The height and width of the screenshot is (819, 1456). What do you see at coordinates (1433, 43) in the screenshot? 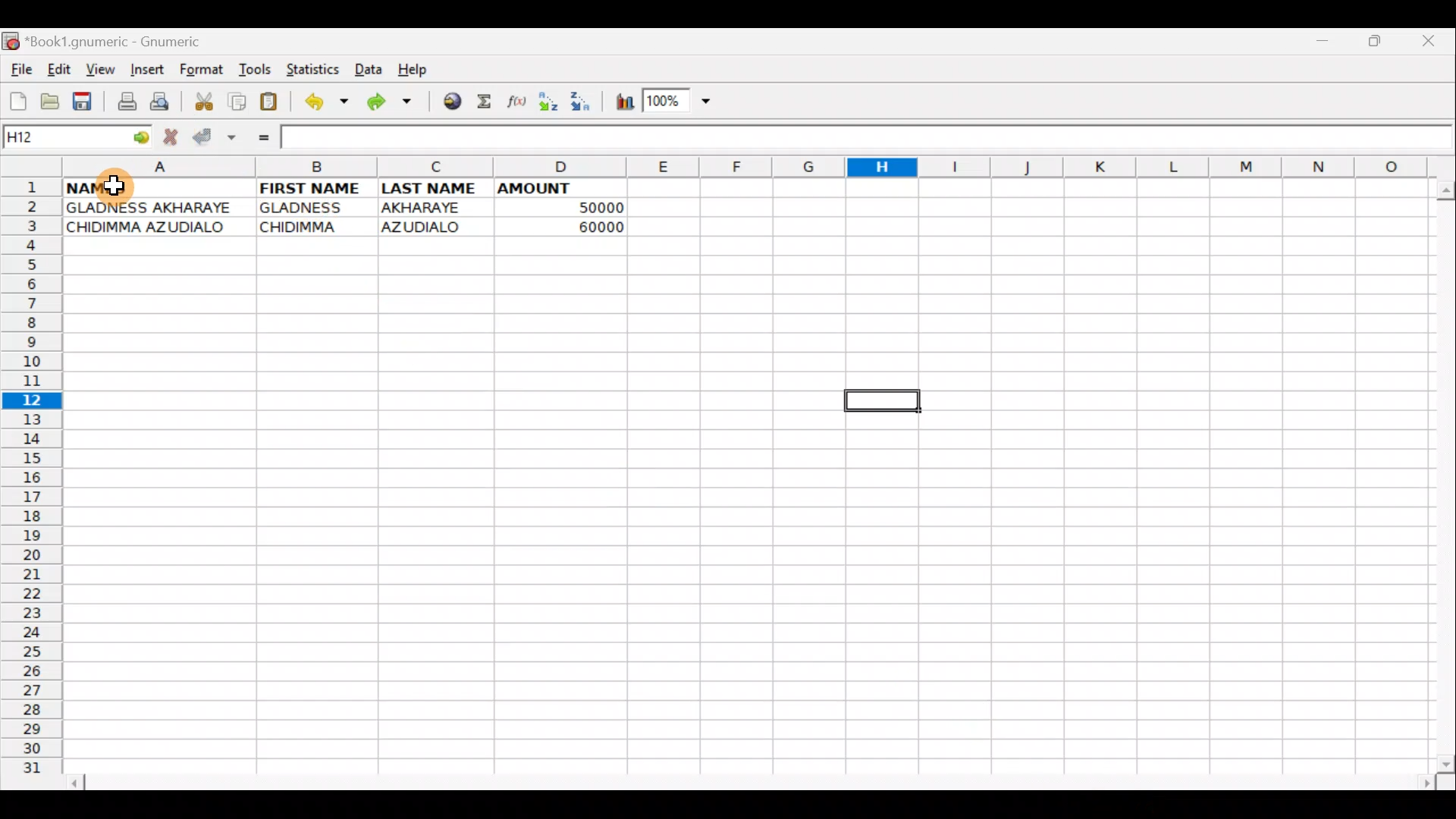
I see `Close` at bounding box center [1433, 43].